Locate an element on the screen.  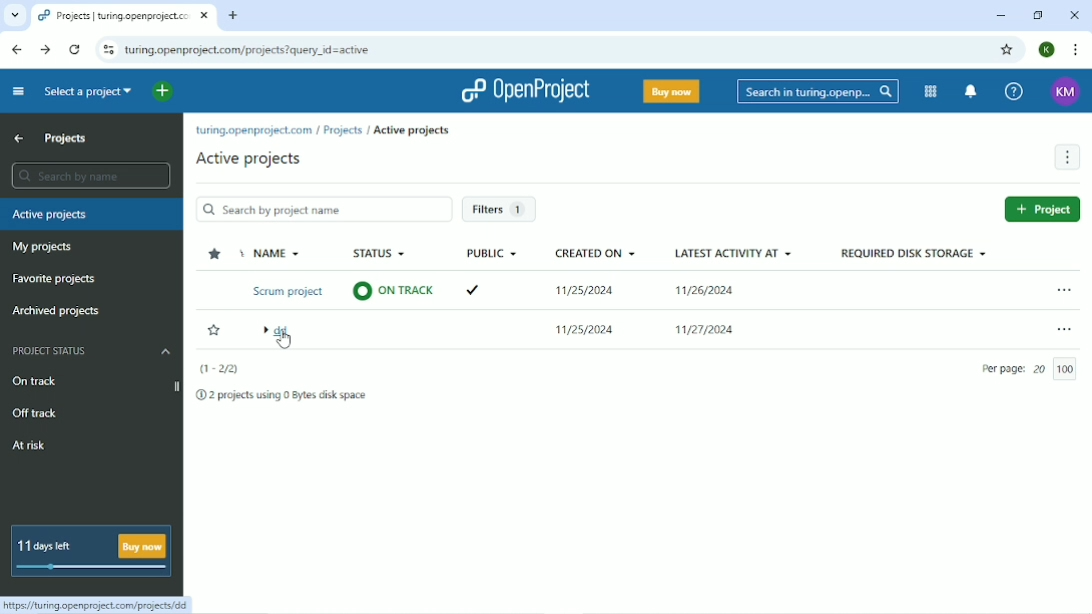
Status is located at coordinates (380, 253).